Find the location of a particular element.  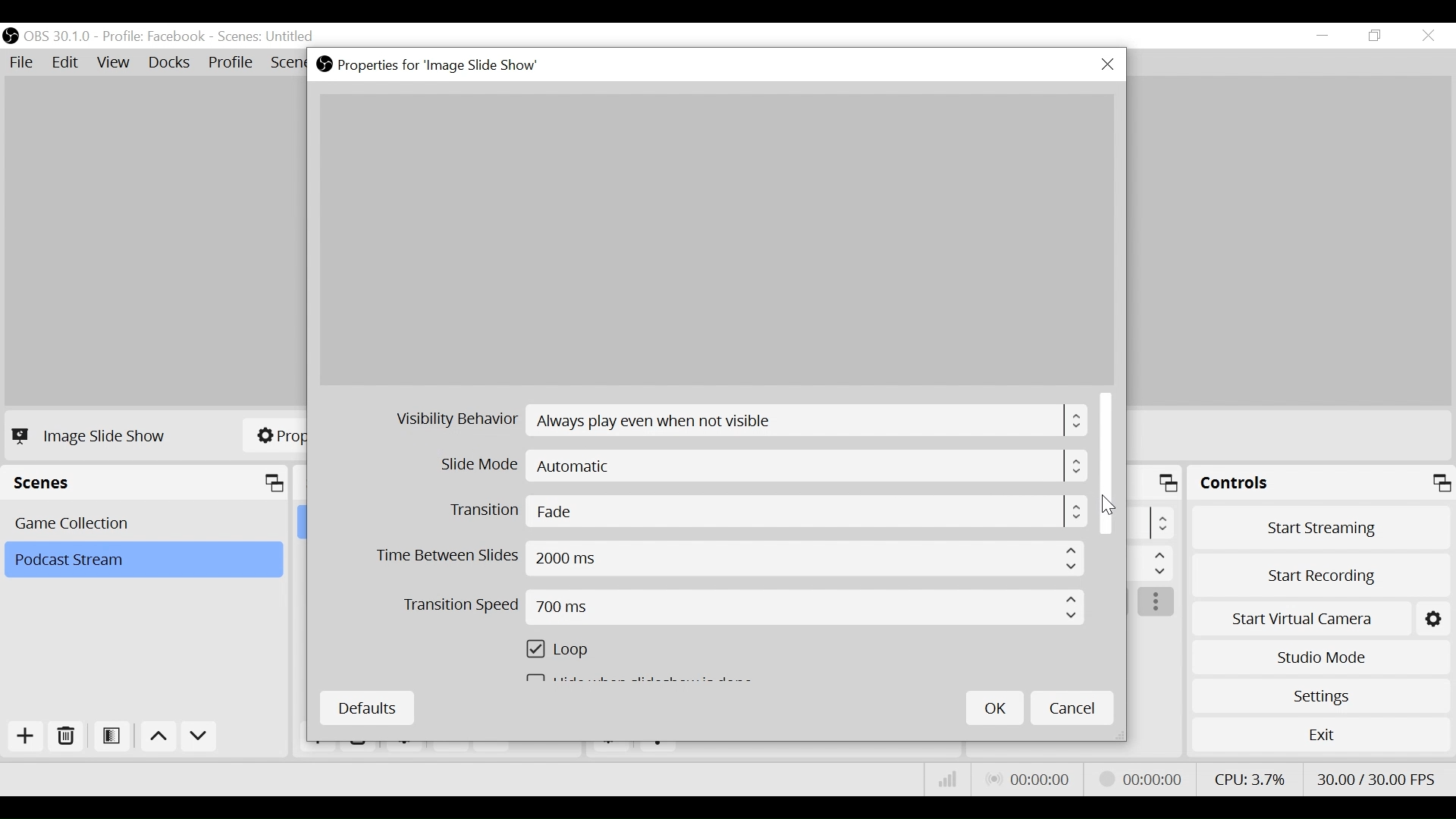

Start Virtual Camera is located at coordinates (1321, 616).